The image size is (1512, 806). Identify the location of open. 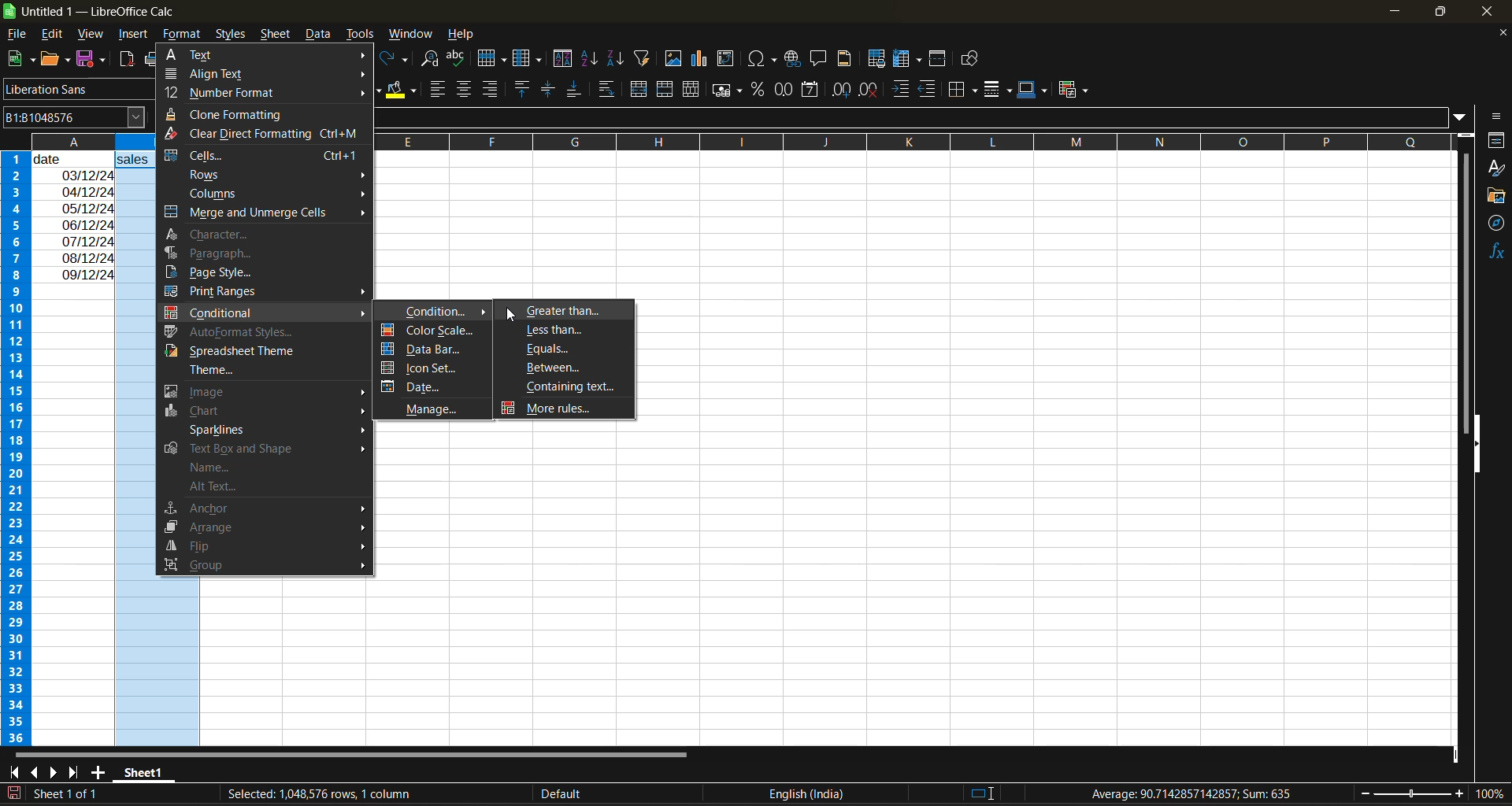
(54, 60).